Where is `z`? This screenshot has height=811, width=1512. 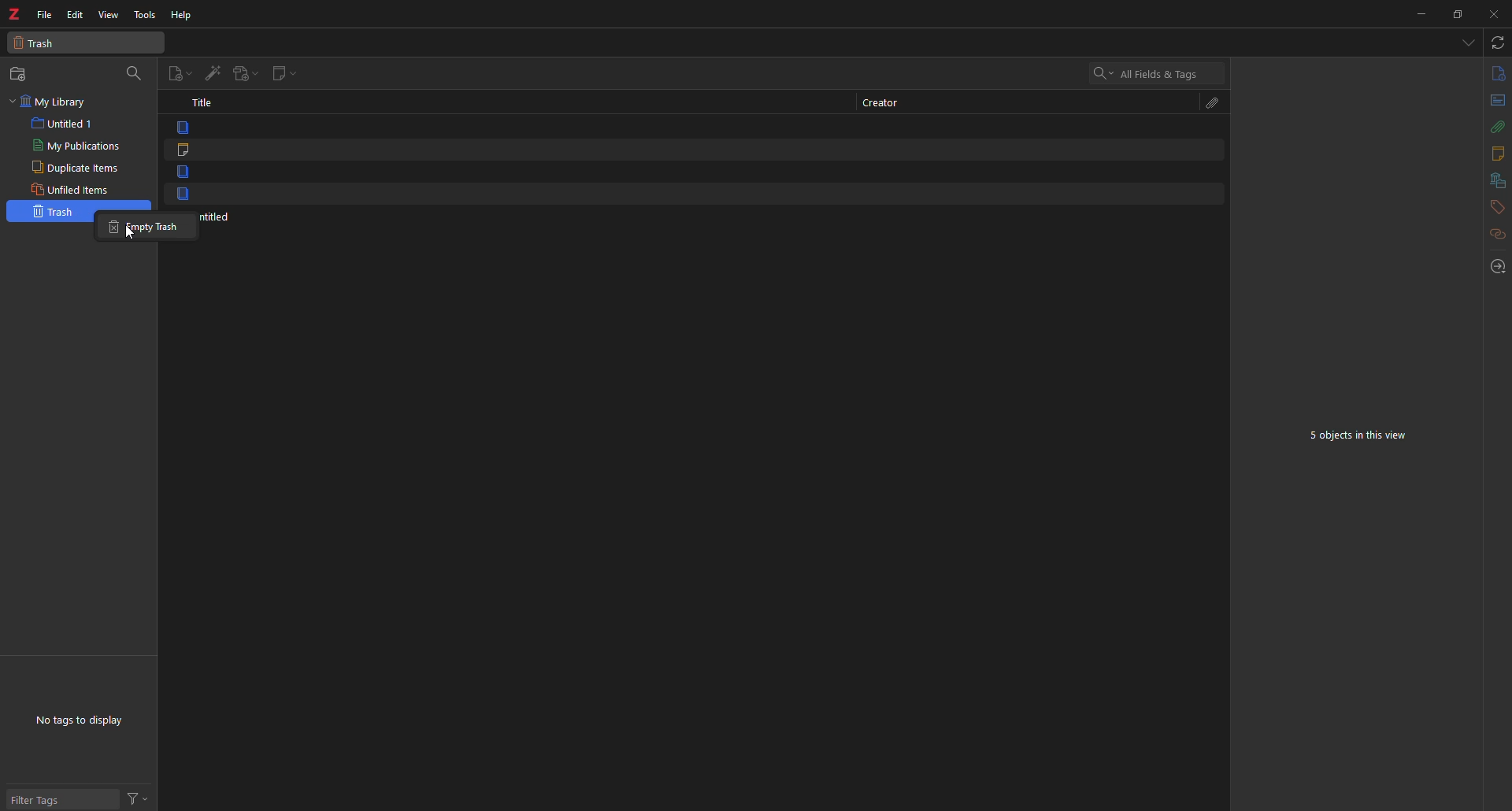 z is located at coordinates (14, 10).